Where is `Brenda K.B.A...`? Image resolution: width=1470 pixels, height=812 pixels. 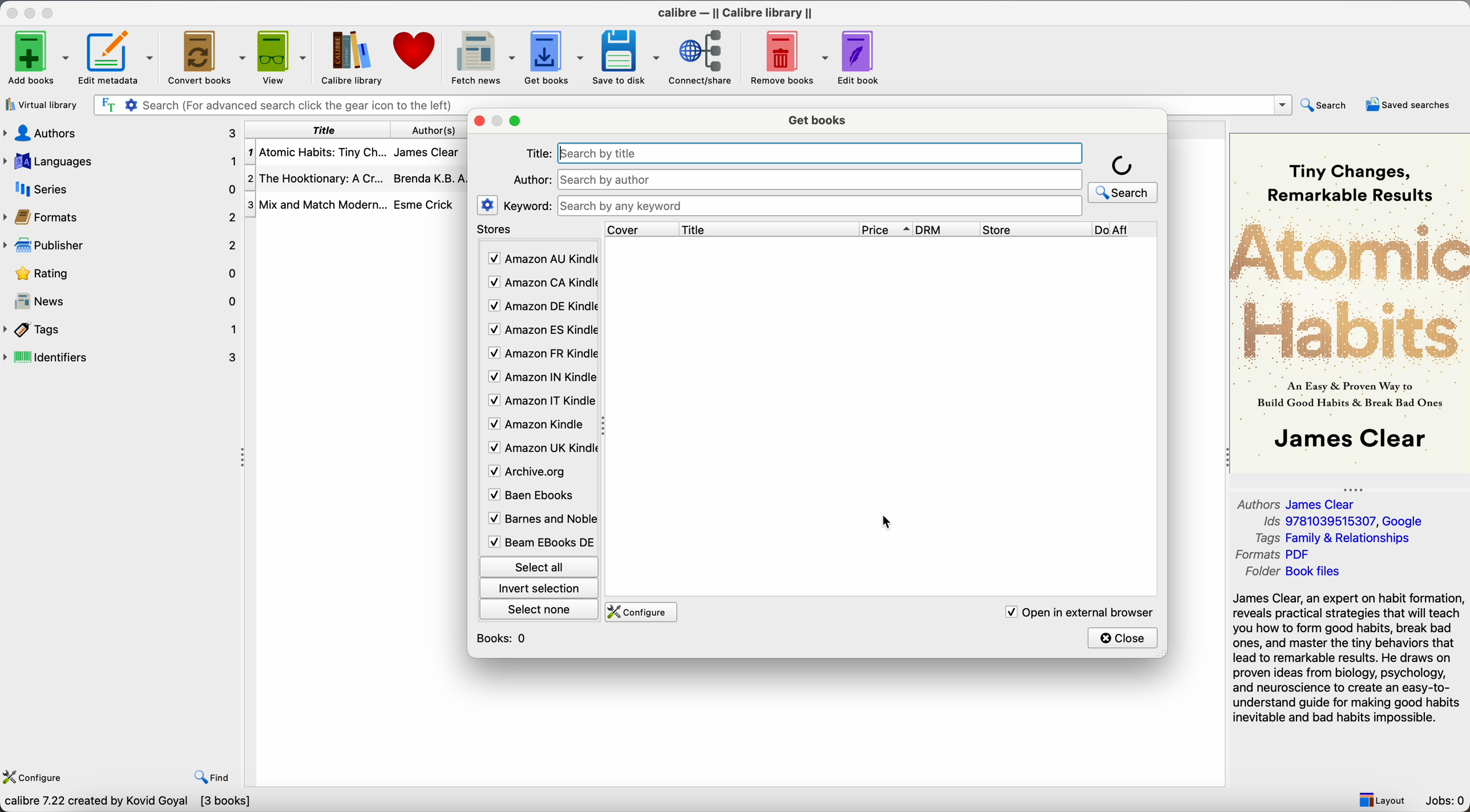
Brenda K.B.A... is located at coordinates (434, 178).